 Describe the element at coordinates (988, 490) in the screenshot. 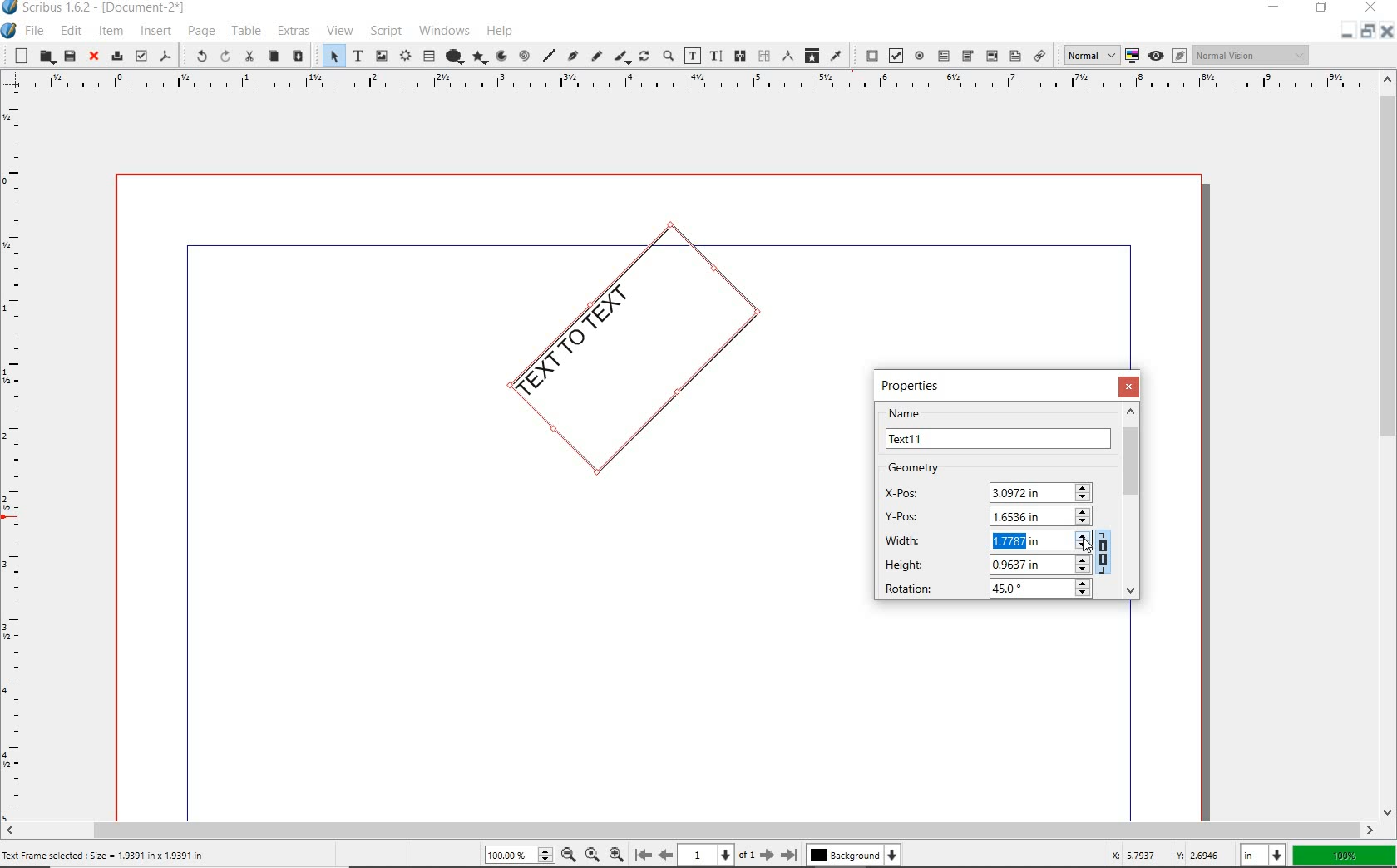

I see `X-POS` at that location.